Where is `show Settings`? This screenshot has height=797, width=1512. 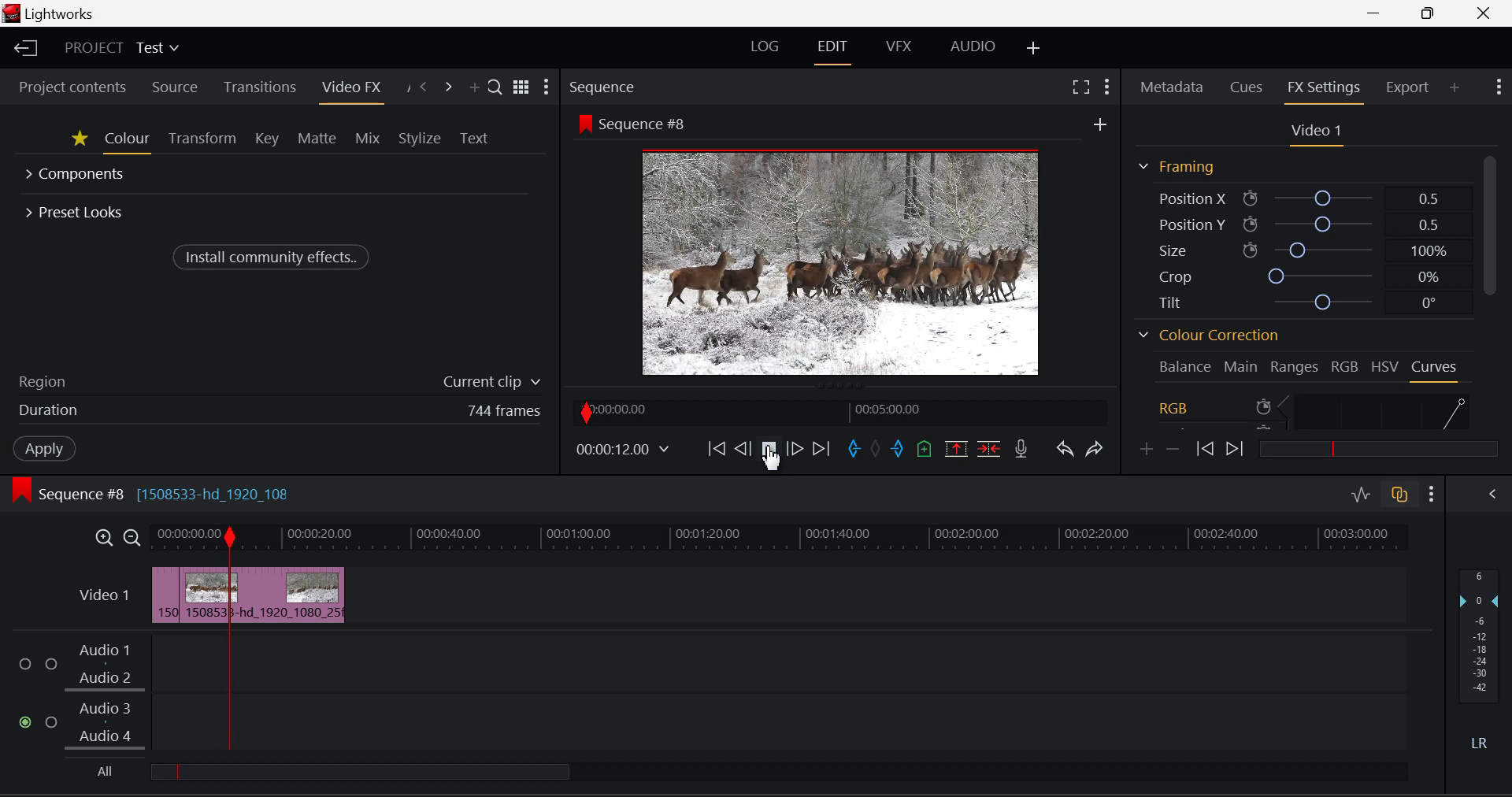 show Settings is located at coordinates (1432, 495).